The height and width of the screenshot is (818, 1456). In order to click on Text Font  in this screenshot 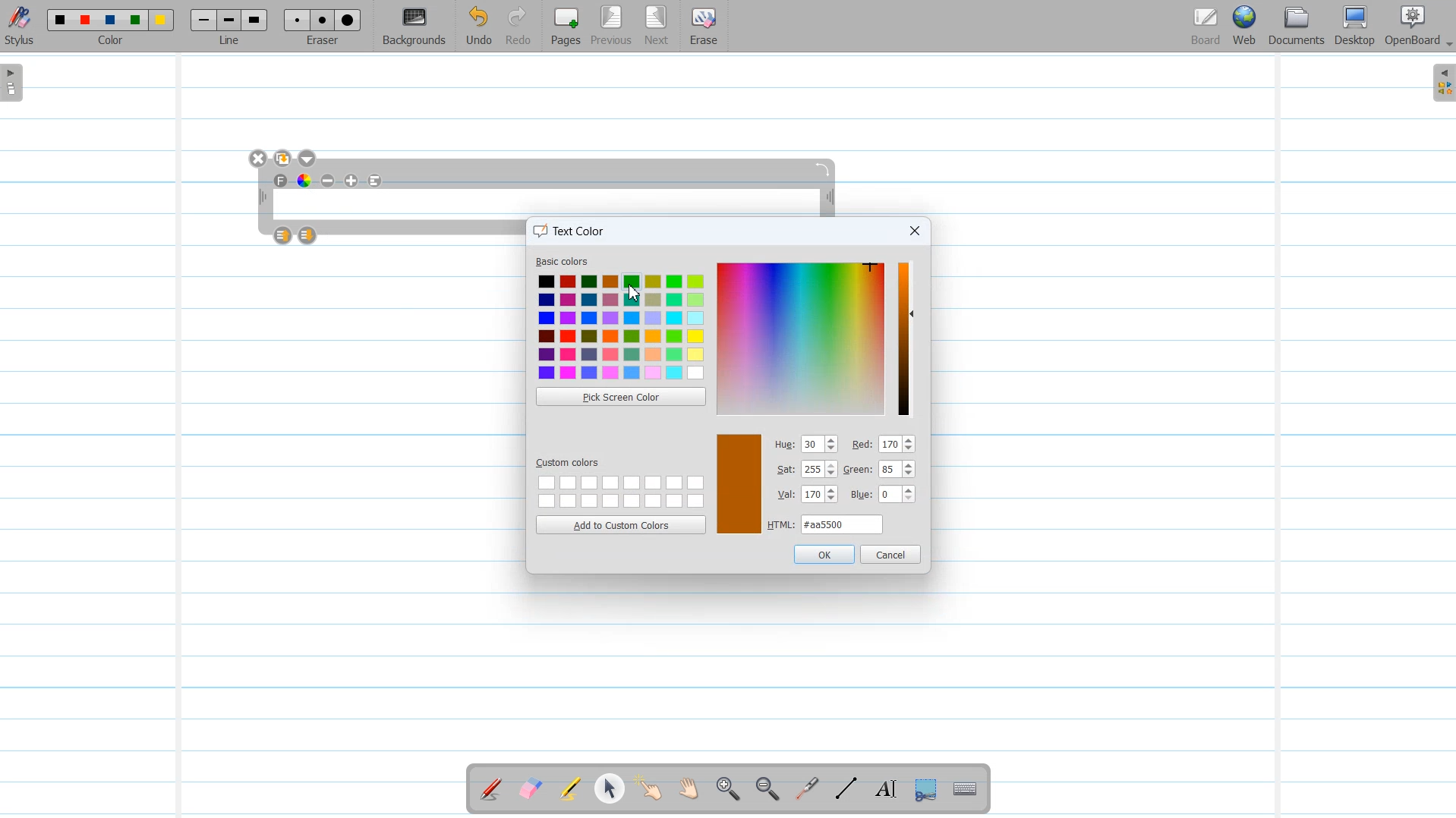, I will do `click(282, 181)`.